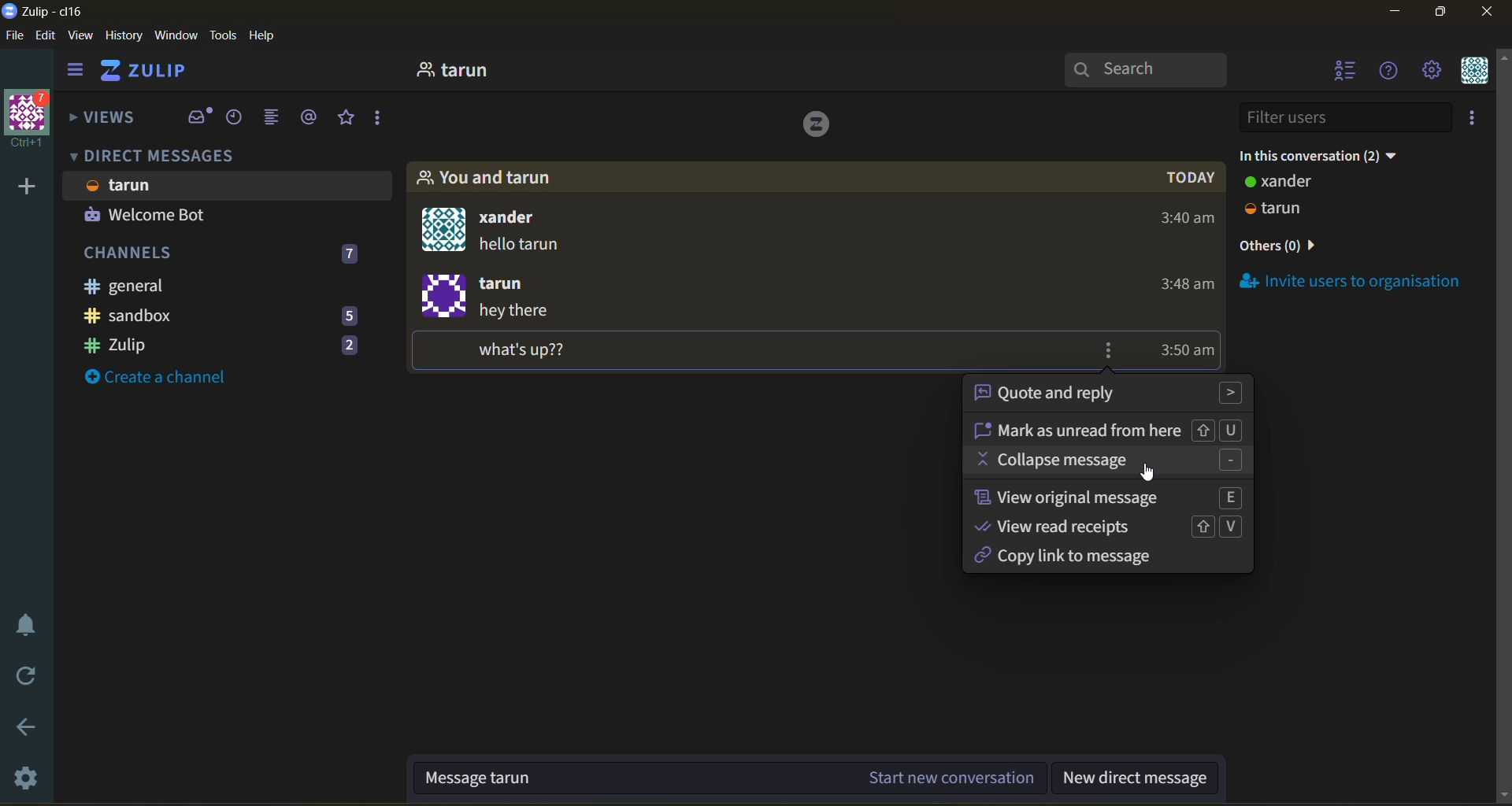 The height and width of the screenshot is (806, 1512). What do you see at coordinates (1285, 184) in the screenshot?
I see `user` at bounding box center [1285, 184].